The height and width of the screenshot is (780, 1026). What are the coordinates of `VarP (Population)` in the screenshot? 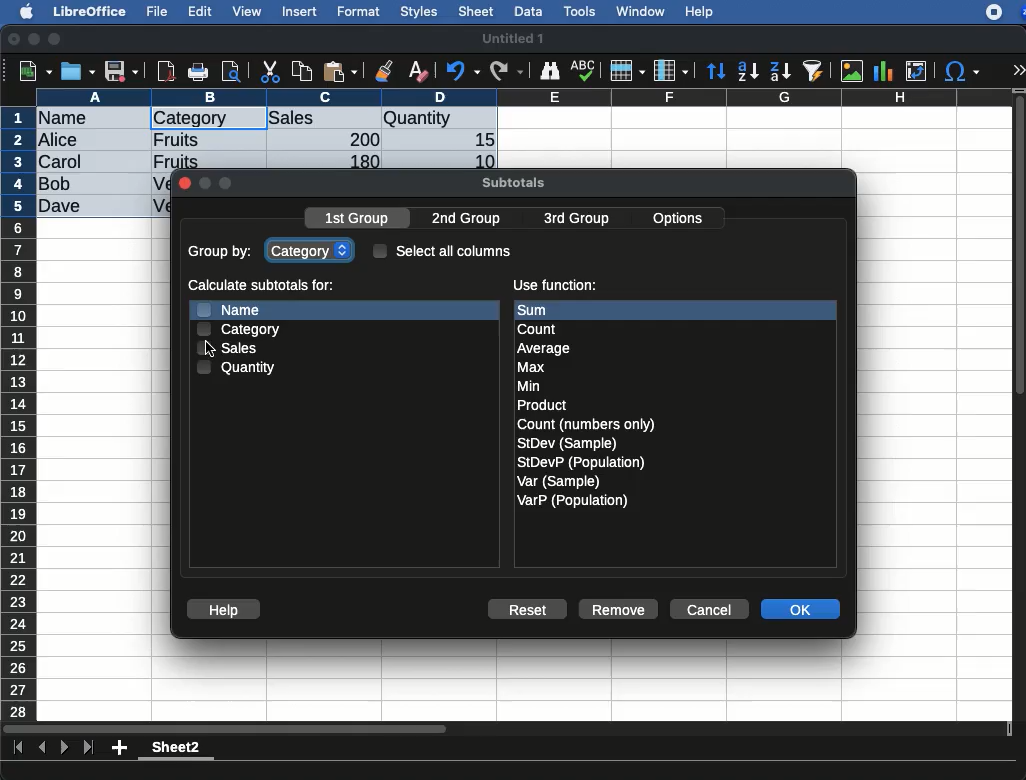 It's located at (572, 501).